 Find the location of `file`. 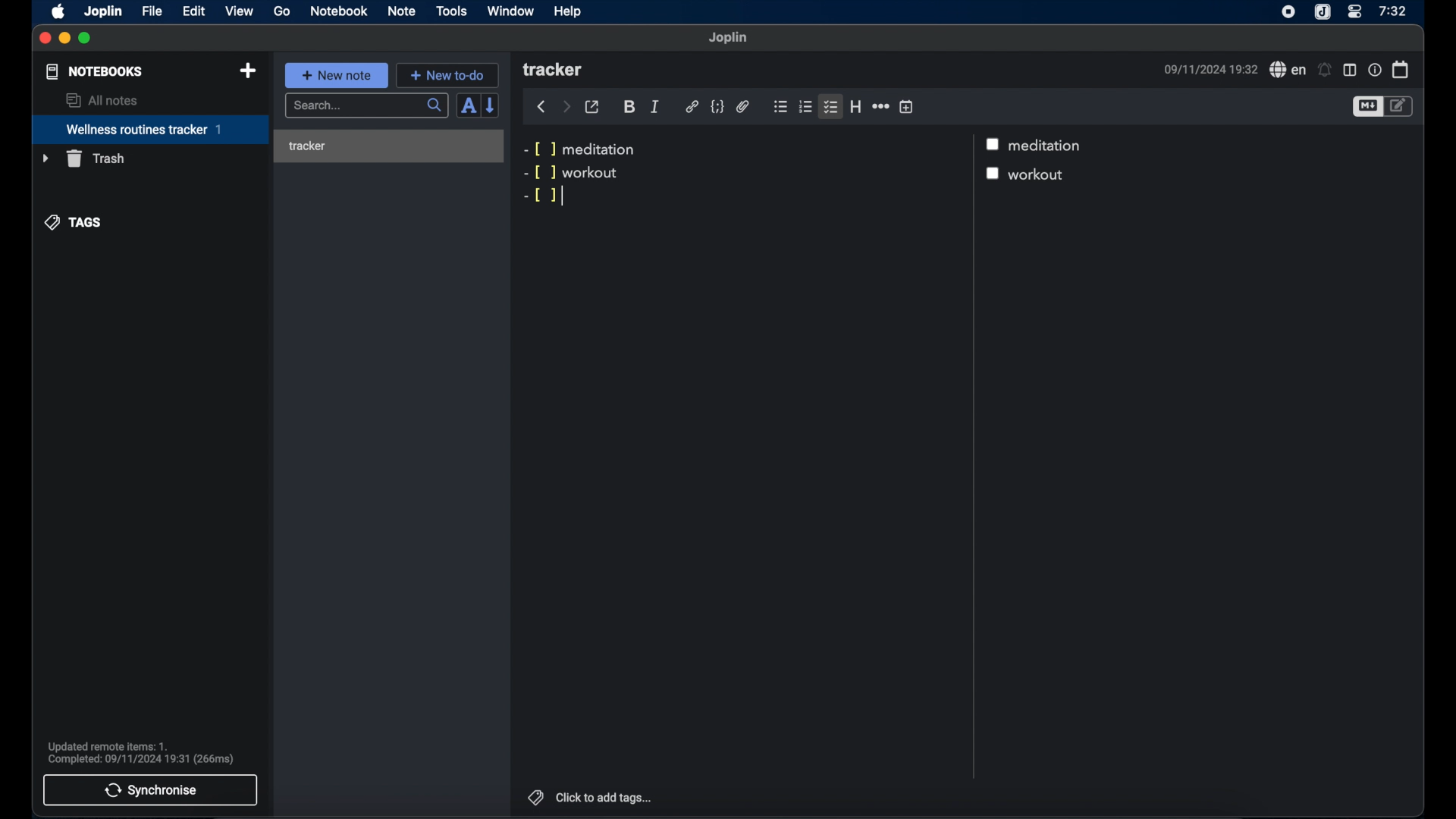

file is located at coordinates (152, 11).